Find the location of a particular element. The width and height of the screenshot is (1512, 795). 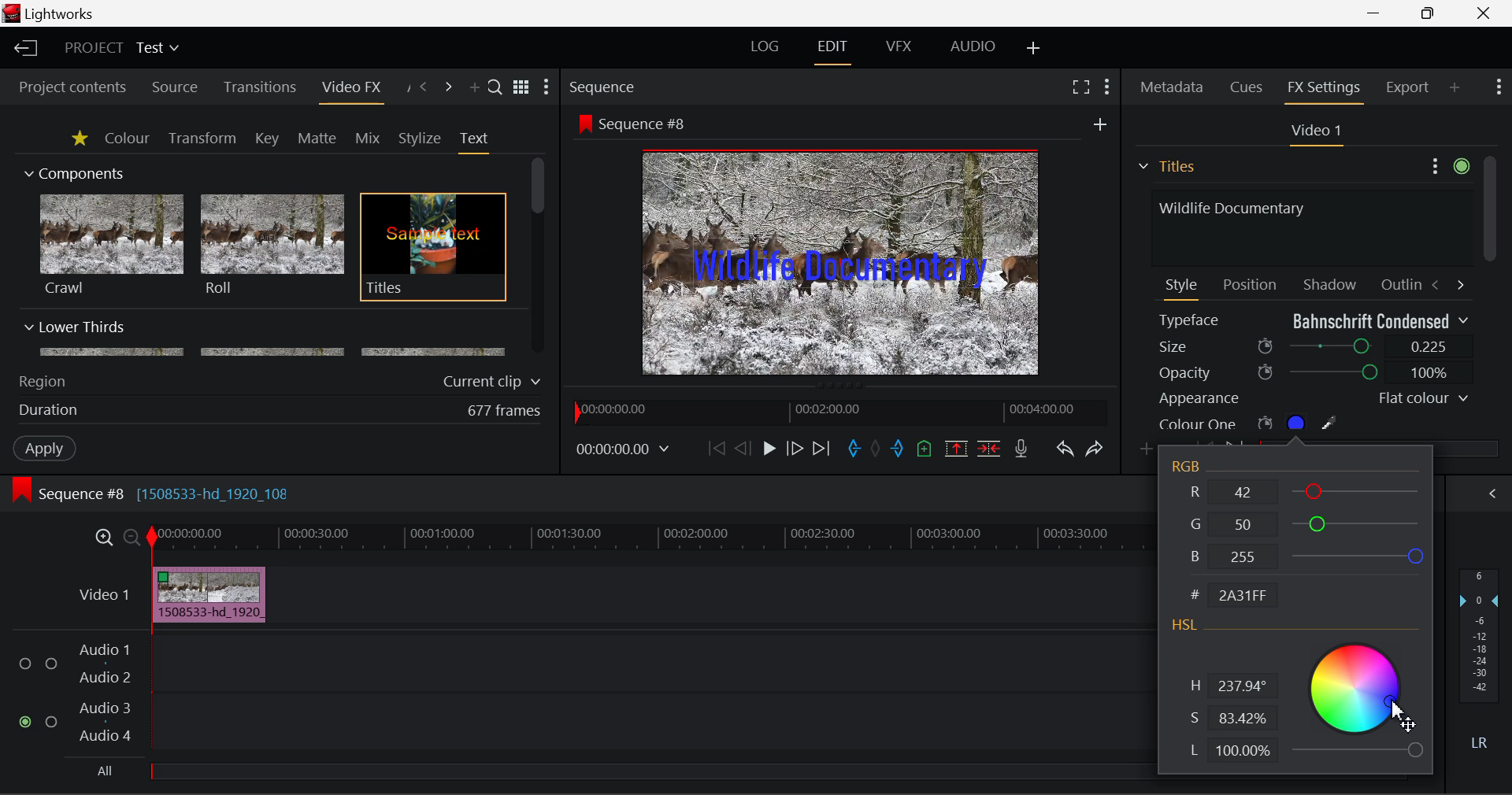

S is located at coordinates (1229, 719).